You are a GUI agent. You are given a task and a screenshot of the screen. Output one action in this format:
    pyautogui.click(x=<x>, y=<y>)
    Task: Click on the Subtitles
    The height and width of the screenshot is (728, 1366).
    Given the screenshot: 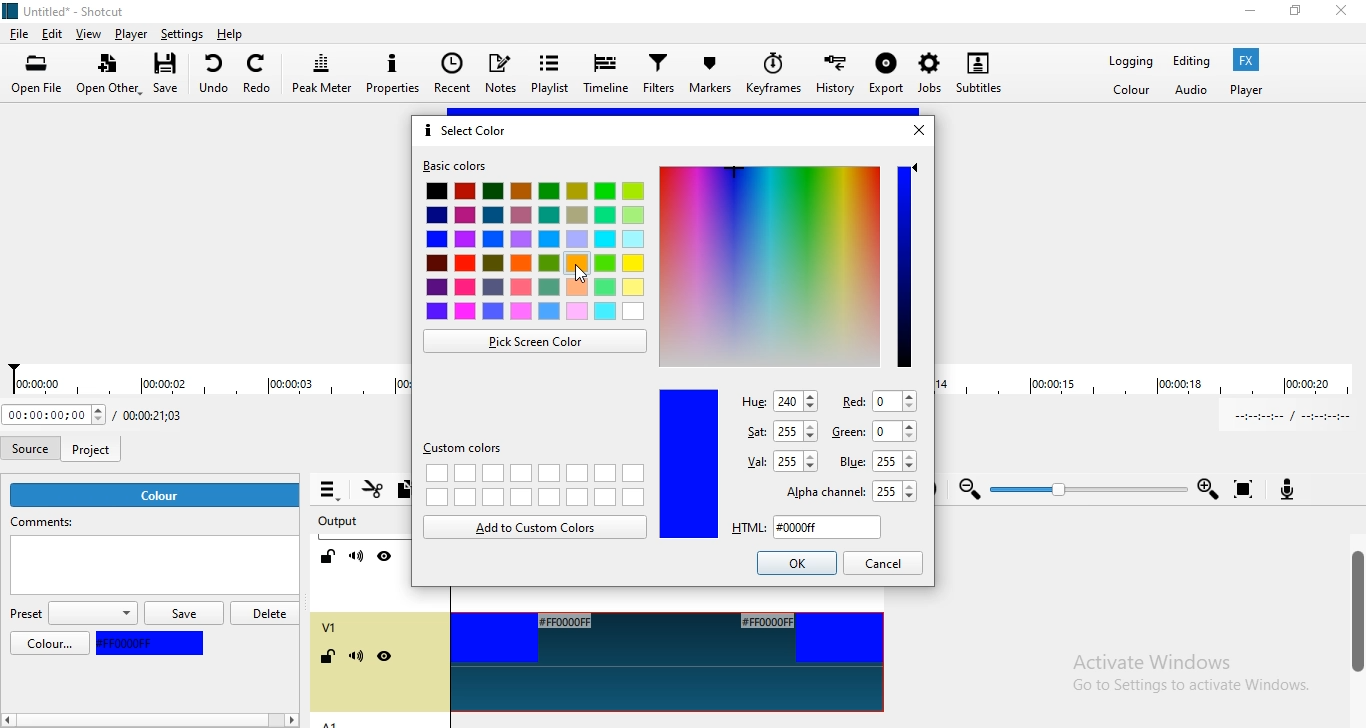 What is the action you would take?
    pyautogui.click(x=980, y=70)
    